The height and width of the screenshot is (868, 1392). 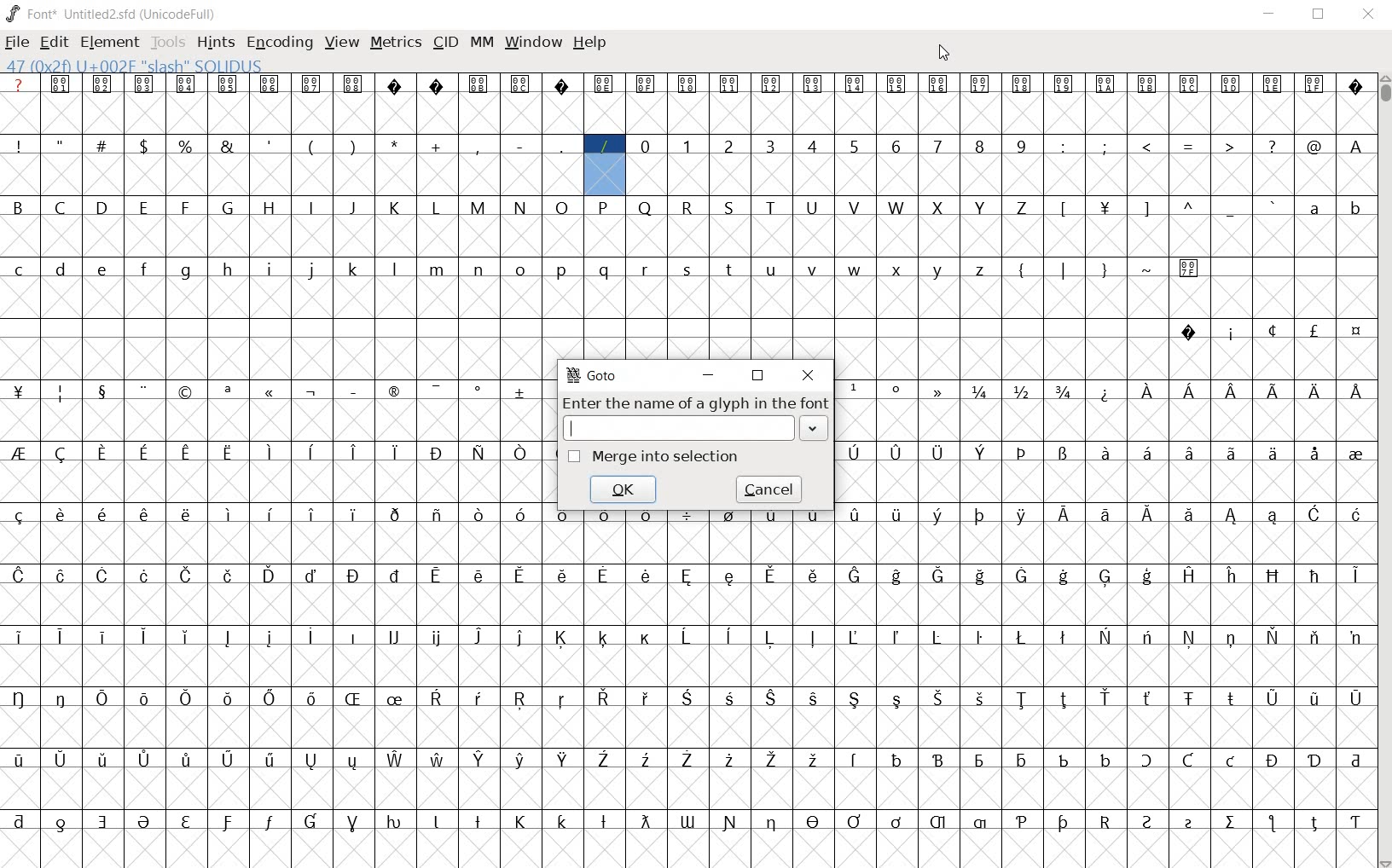 I want to click on glyph, so click(x=980, y=698).